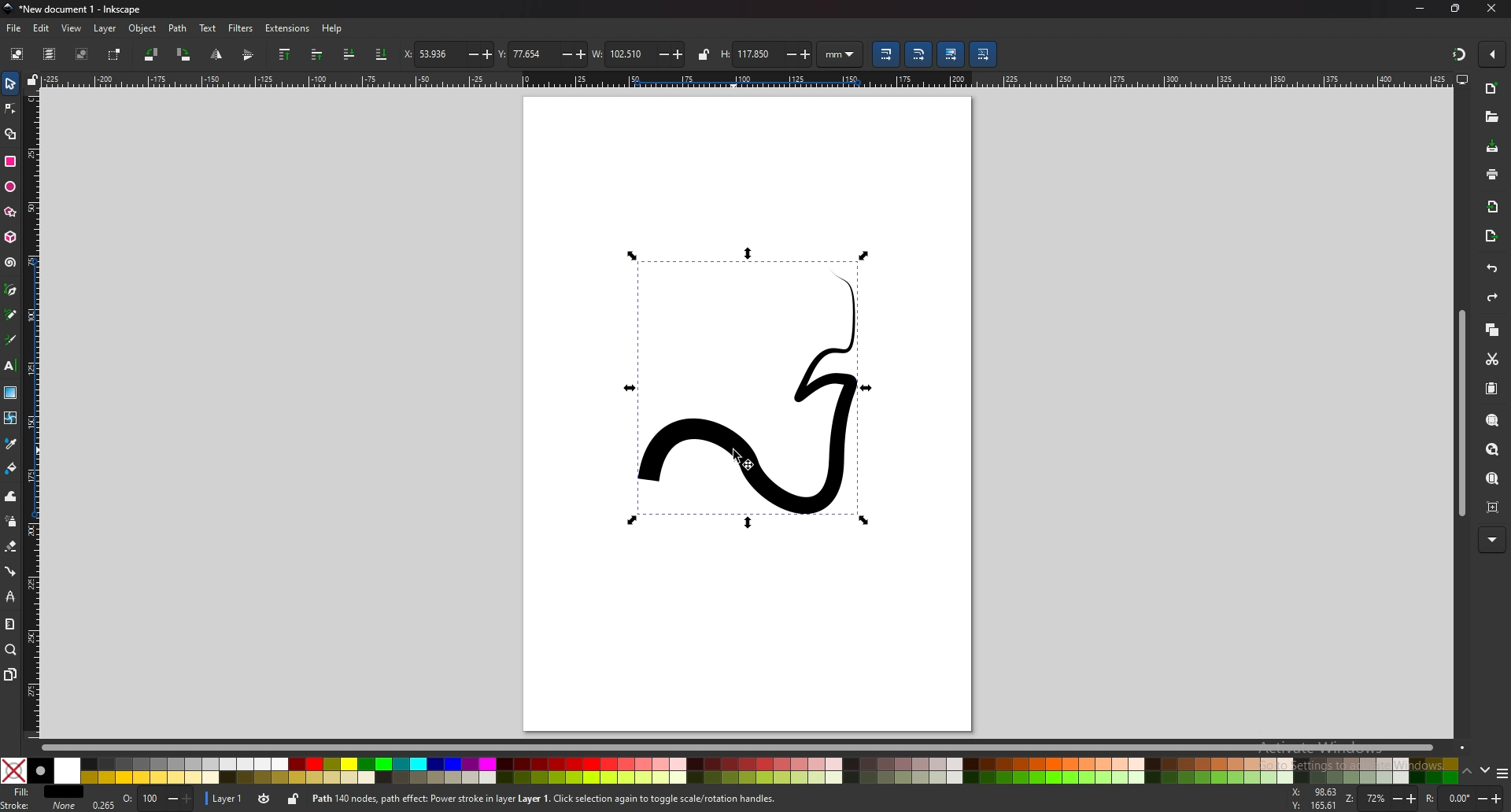  What do you see at coordinates (249, 55) in the screenshot?
I see `flip horizontally` at bounding box center [249, 55].